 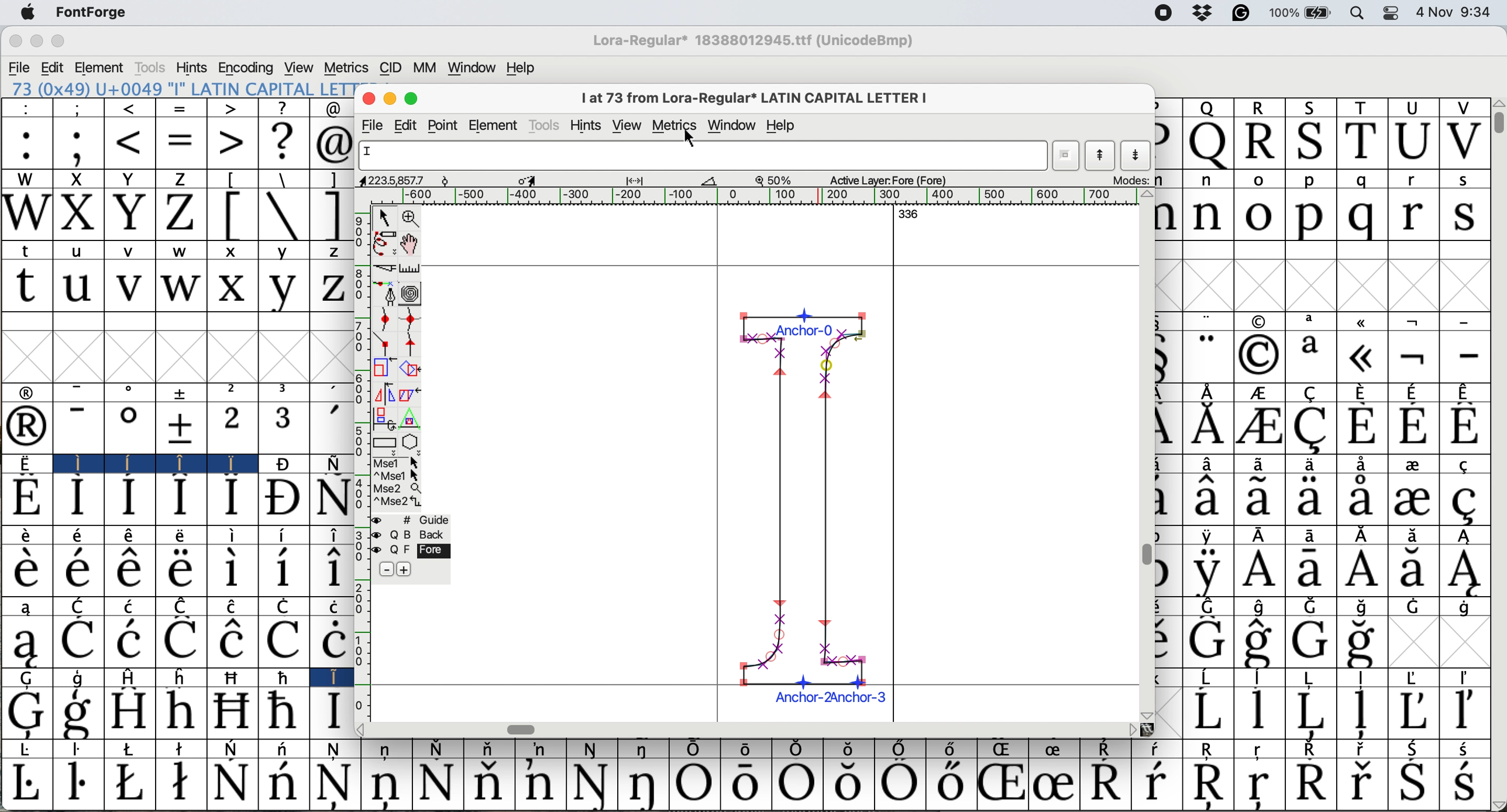 What do you see at coordinates (185, 253) in the screenshot?
I see `w` at bounding box center [185, 253].